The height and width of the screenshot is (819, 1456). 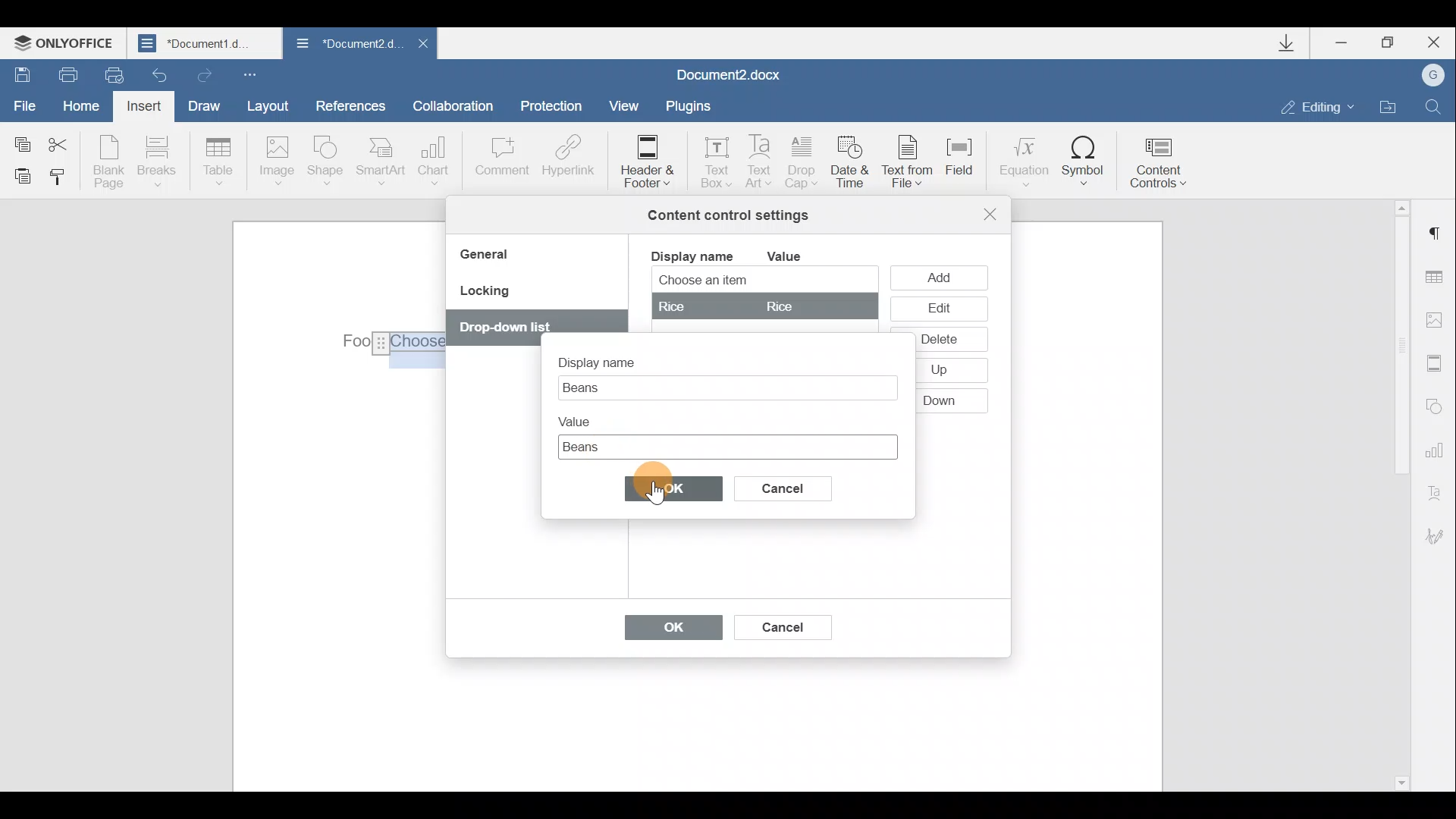 What do you see at coordinates (1438, 362) in the screenshot?
I see `Header & footer settings` at bounding box center [1438, 362].